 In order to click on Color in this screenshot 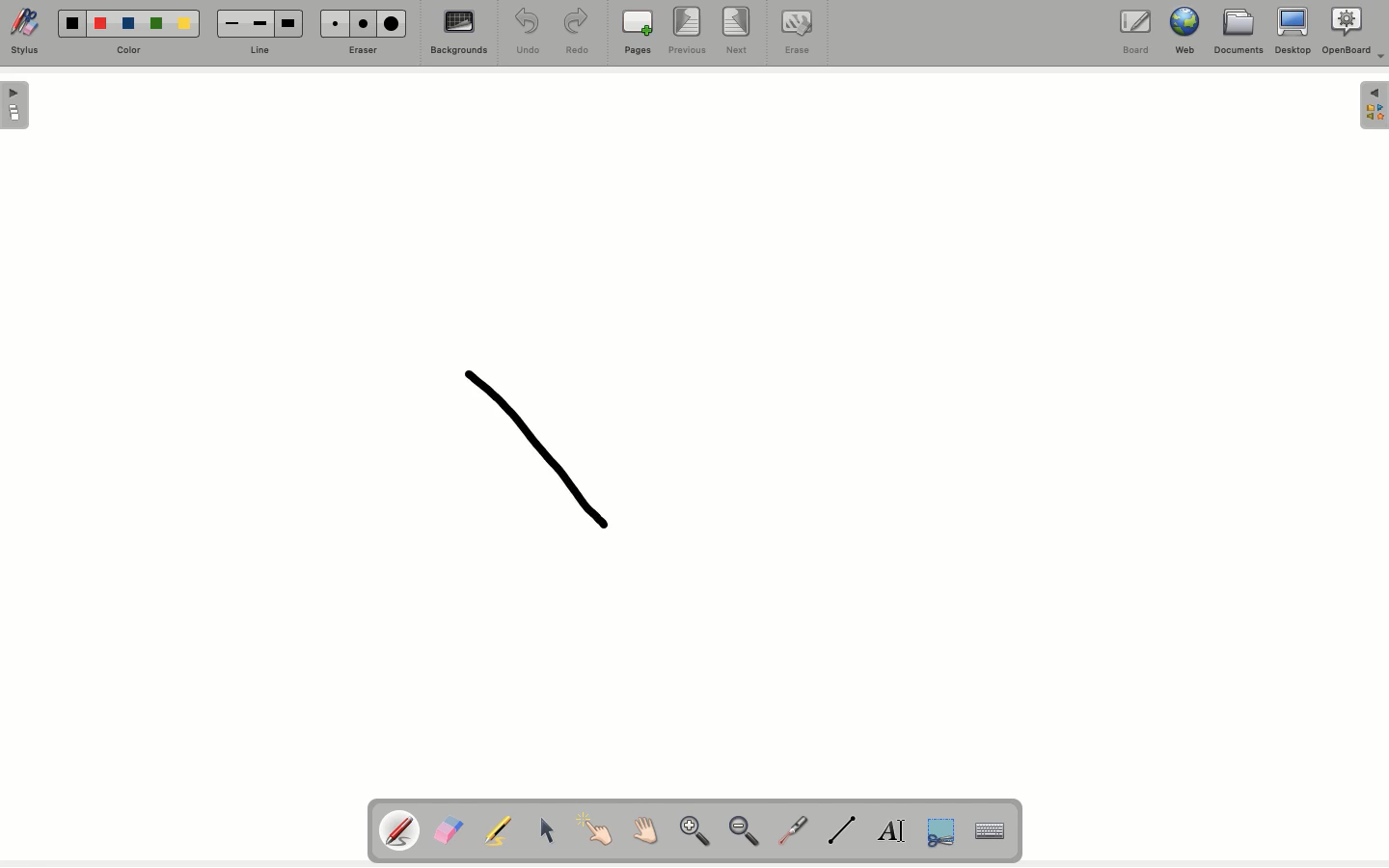, I will do `click(135, 46)`.